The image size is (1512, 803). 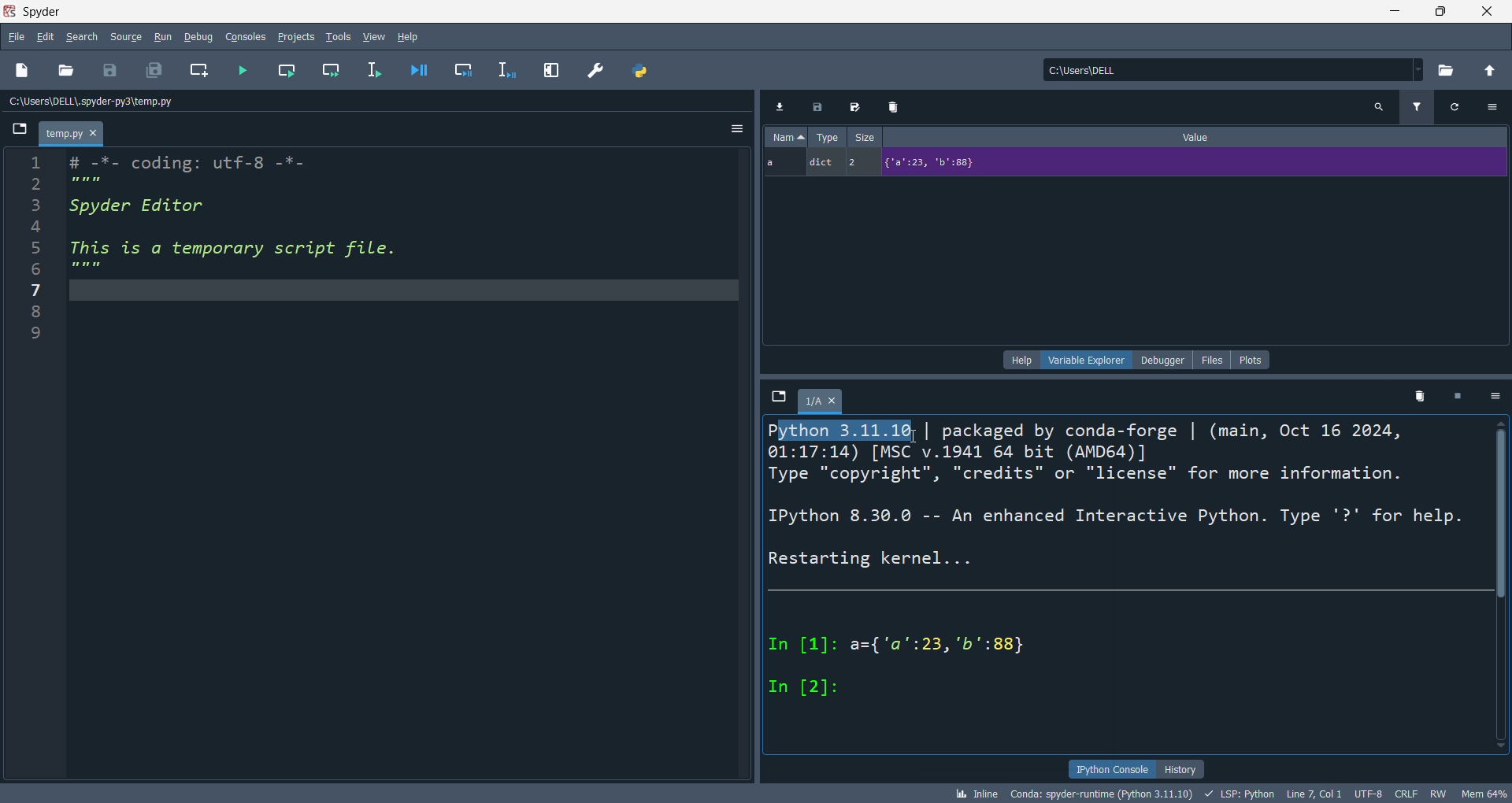 I want to click on path manager, so click(x=642, y=72).